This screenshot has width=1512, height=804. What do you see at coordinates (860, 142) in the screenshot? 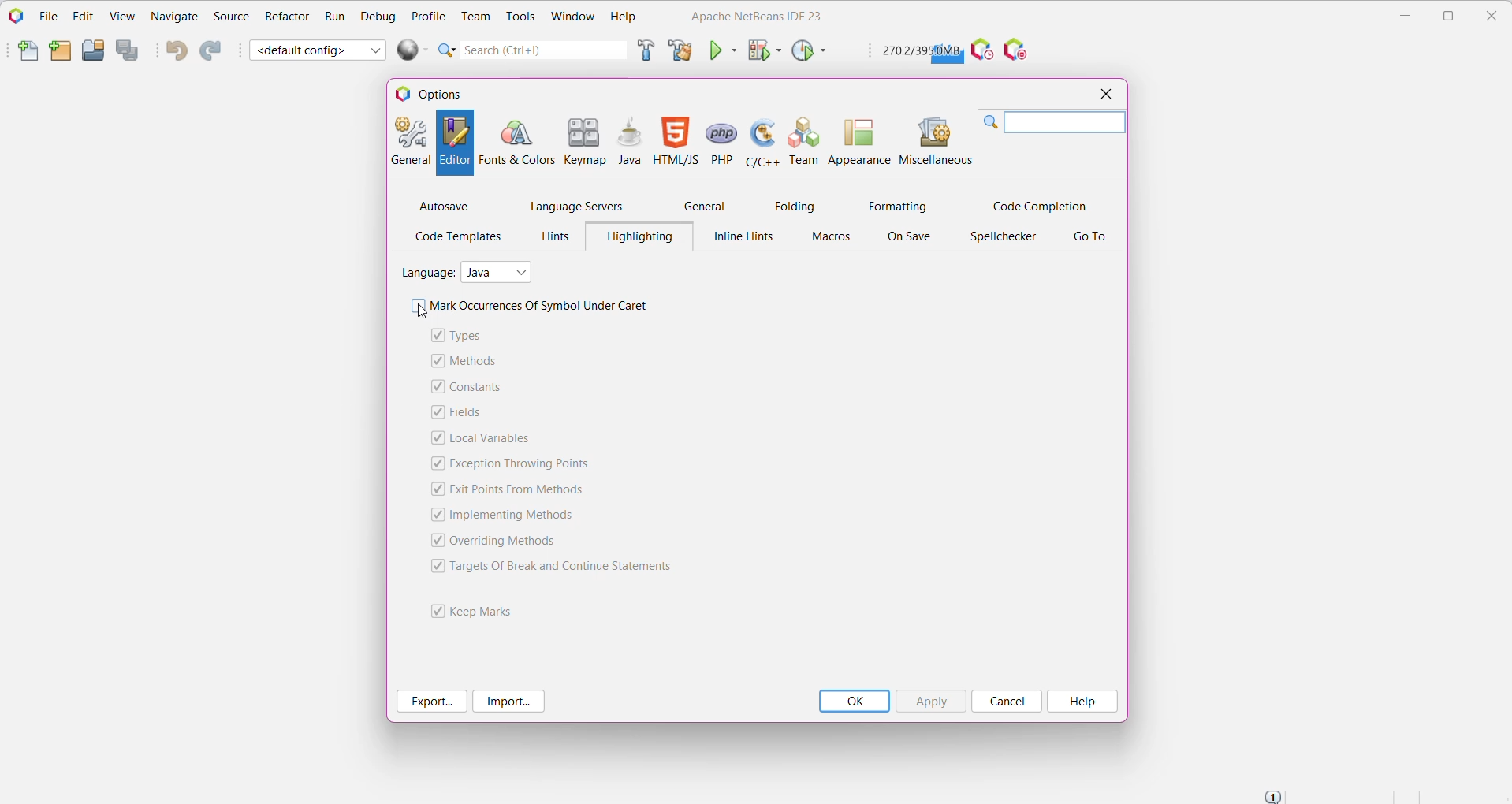
I see `Appearance` at bounding box center [860, 142].